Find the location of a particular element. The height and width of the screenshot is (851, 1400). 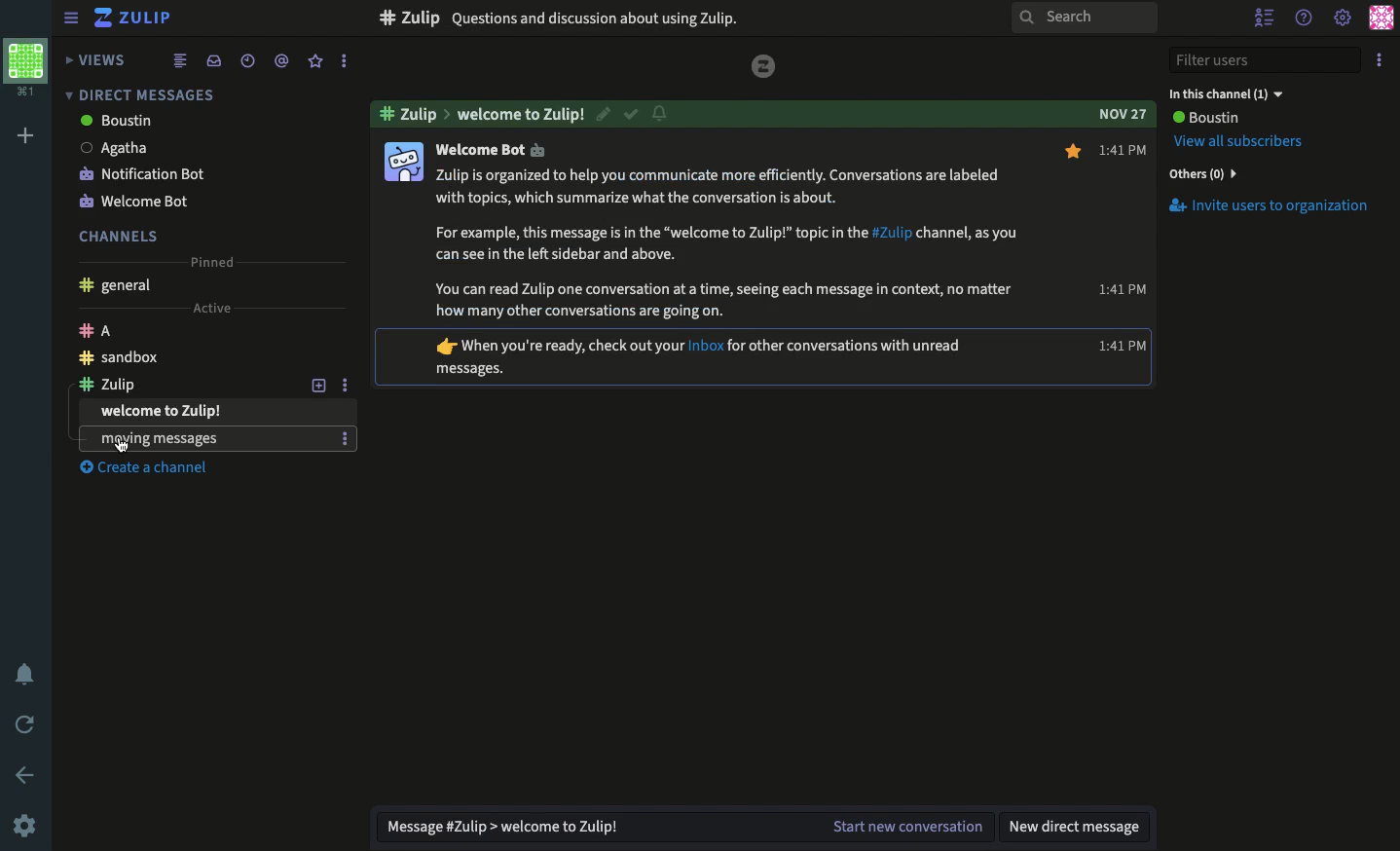

boustin is located at coordinates (182, 122).